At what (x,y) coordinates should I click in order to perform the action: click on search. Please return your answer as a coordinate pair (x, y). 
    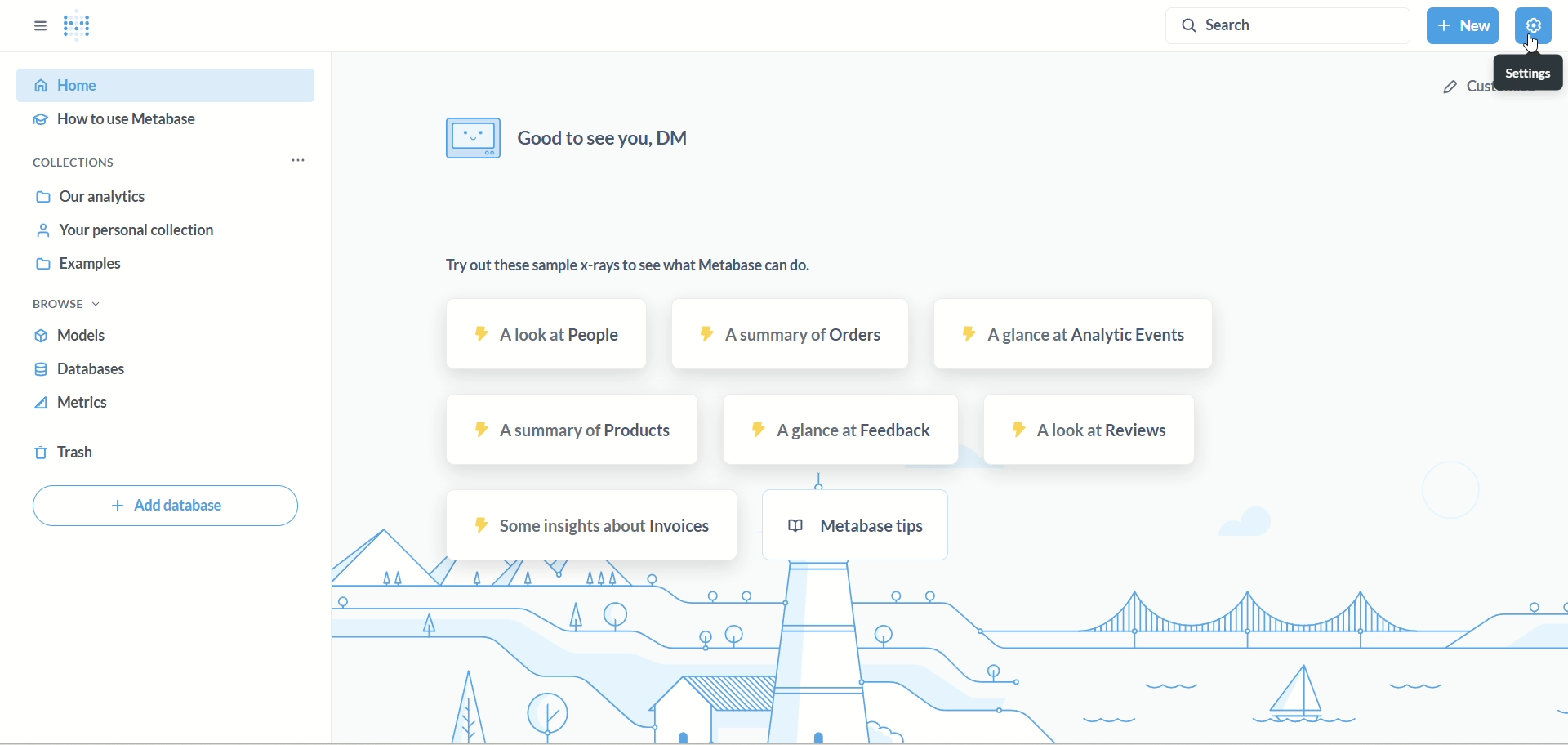
    Looking at the image, I should click on (1291, 25).